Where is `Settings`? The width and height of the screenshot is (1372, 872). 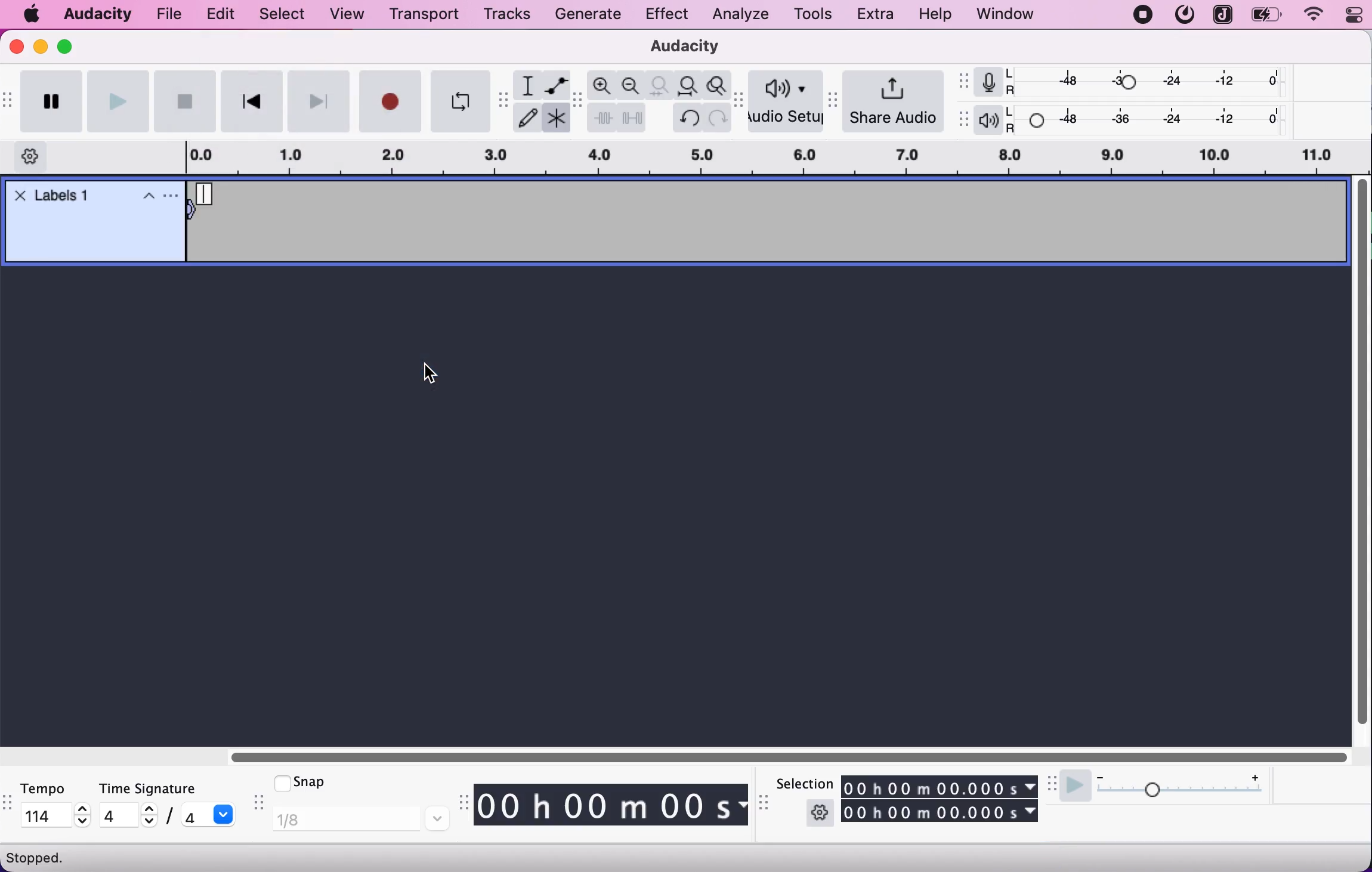
Settings is located at coordinates (172, 197).